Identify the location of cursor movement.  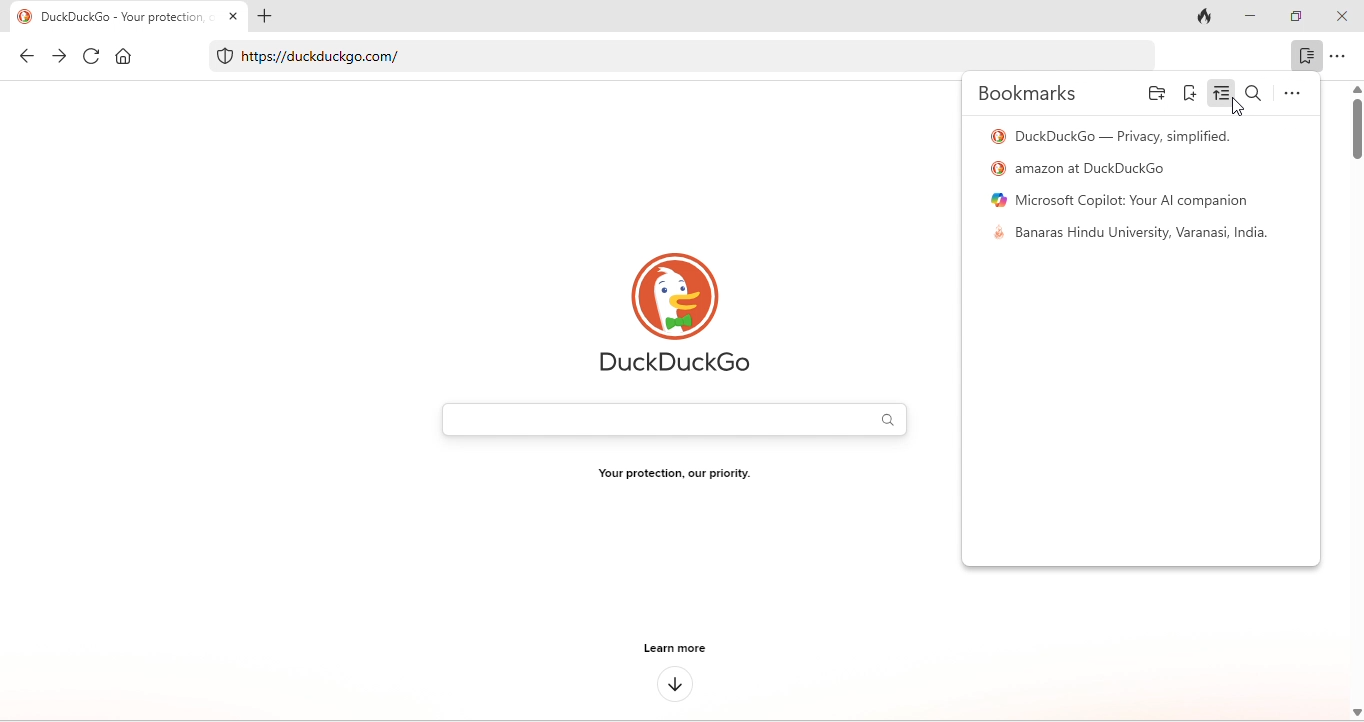
(1239, 109).